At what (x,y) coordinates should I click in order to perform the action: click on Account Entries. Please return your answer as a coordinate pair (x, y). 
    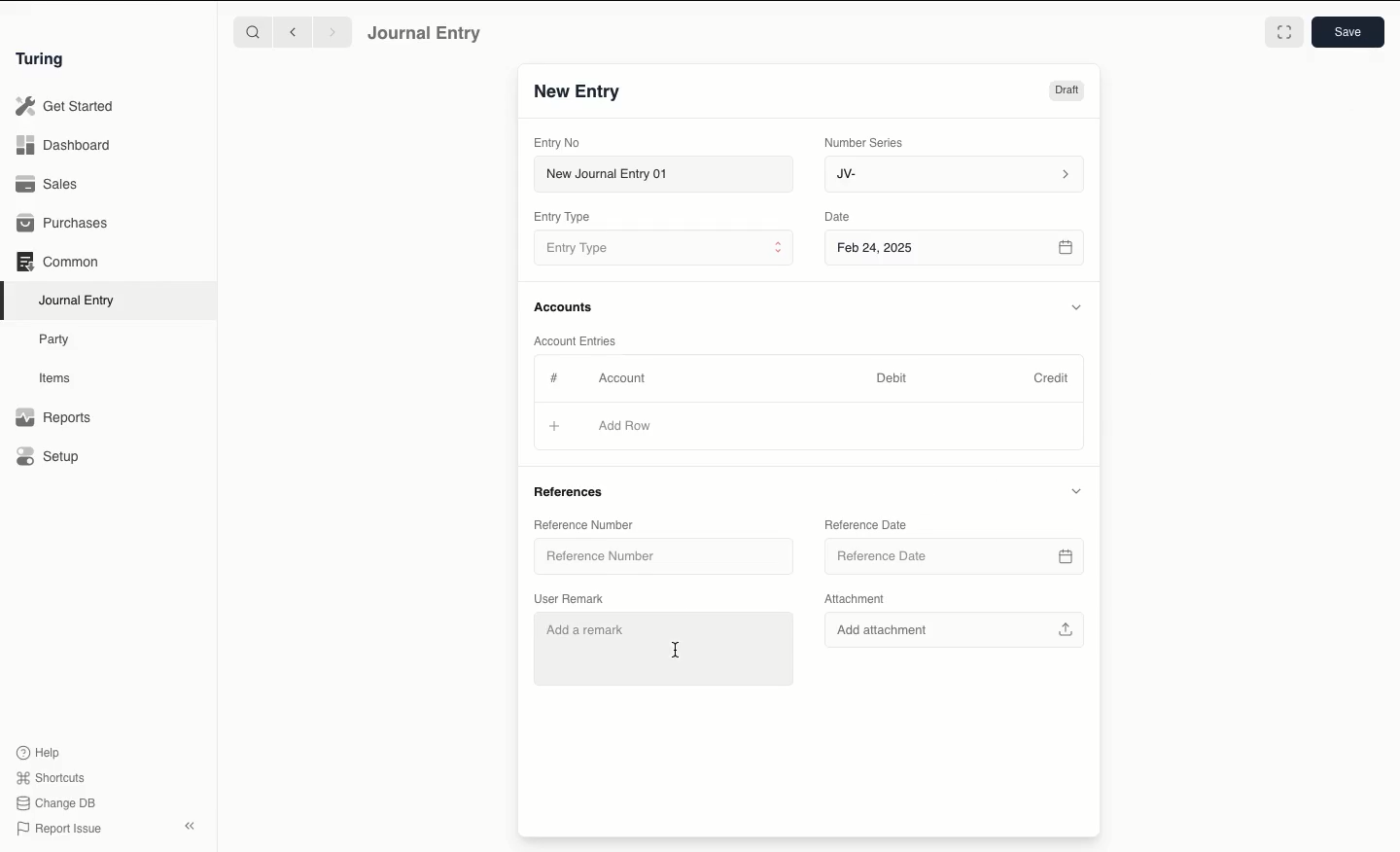
    Looking at the image, I should click on (578, 340).